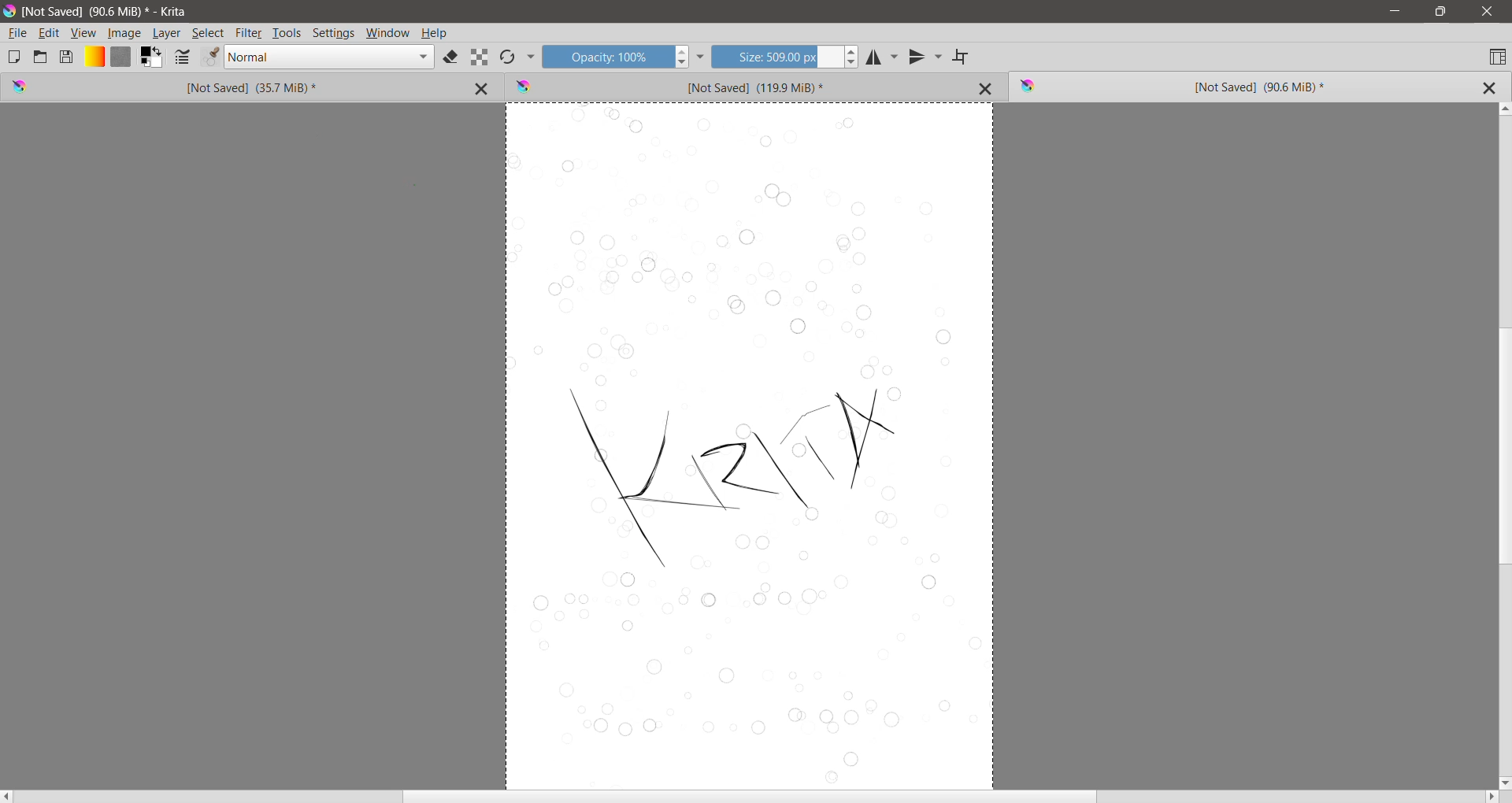 This screenshot has height=803, width=1512. What do you see at coordinates (249, 33) in the screenshot?
I see `Filter` at bounding box center [249, 33].